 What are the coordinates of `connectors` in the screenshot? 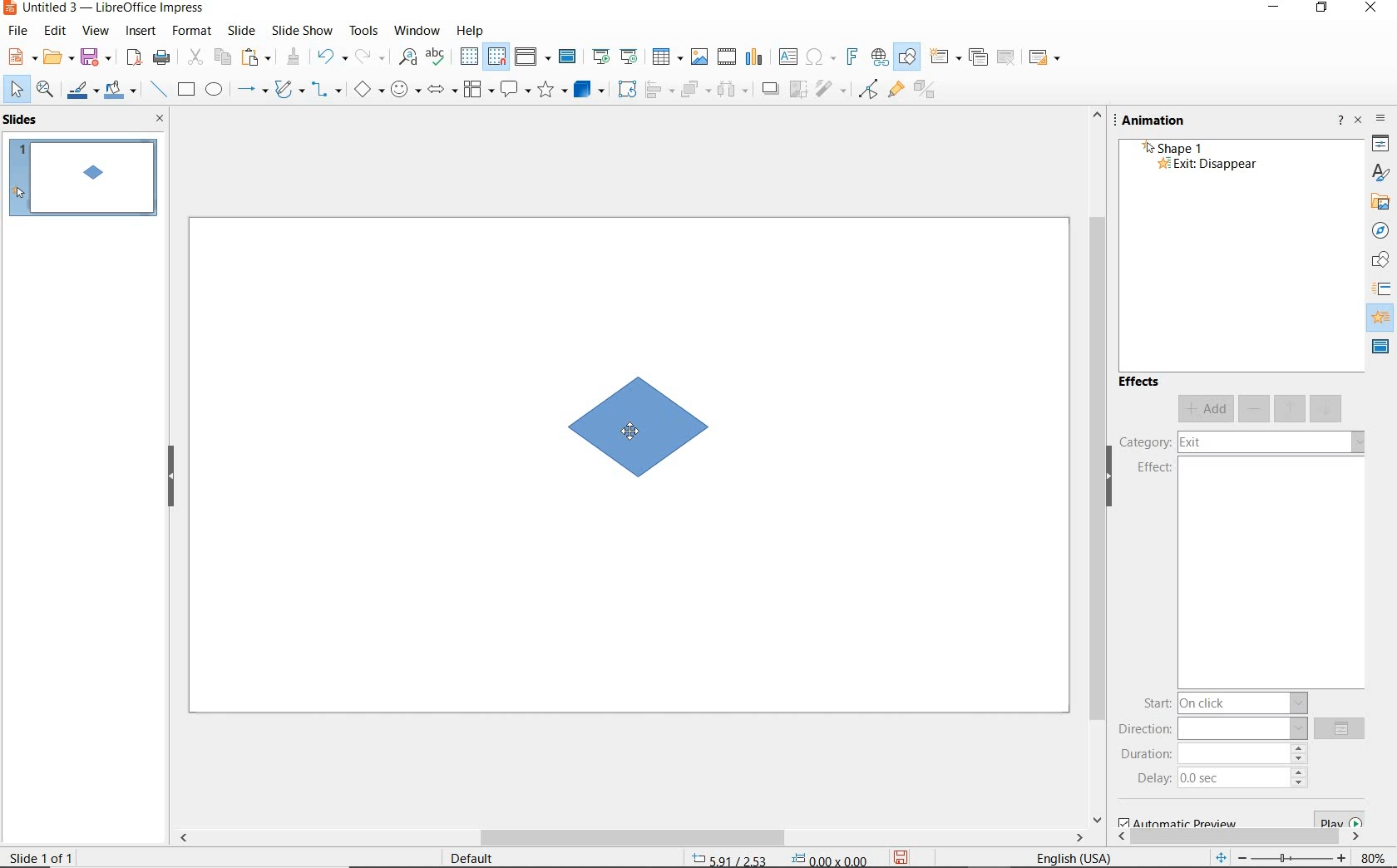 It's located at (327, 89).